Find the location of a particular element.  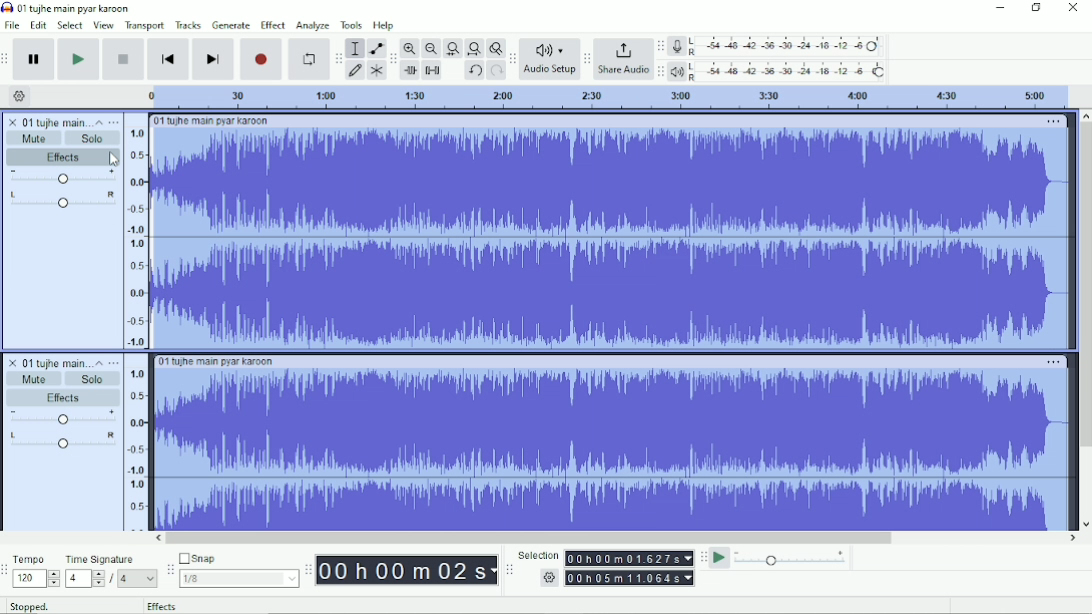

Multi-tool is located at coordinates (375, 70).